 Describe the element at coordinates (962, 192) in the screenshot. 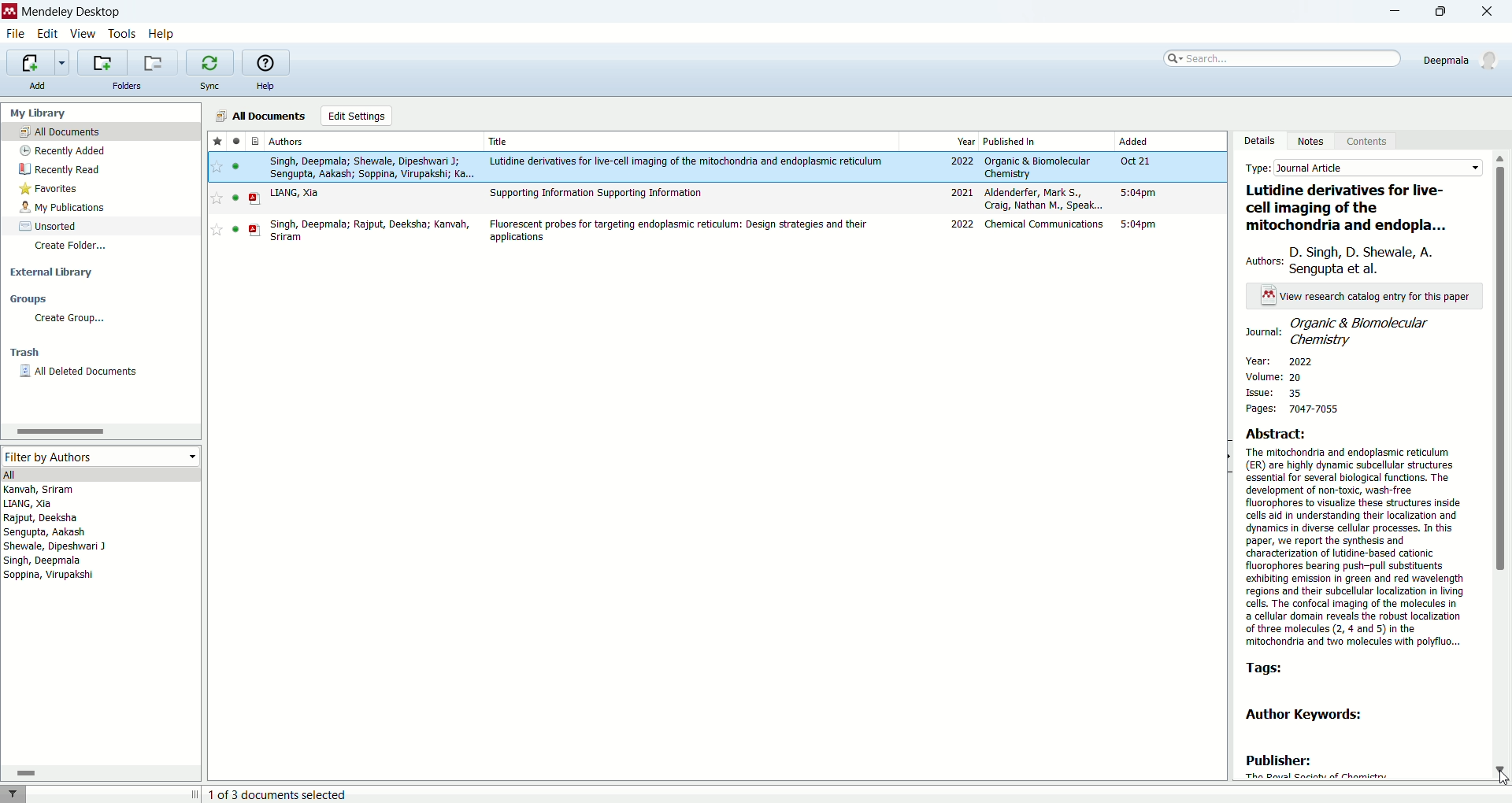

I see `2021` at that location.